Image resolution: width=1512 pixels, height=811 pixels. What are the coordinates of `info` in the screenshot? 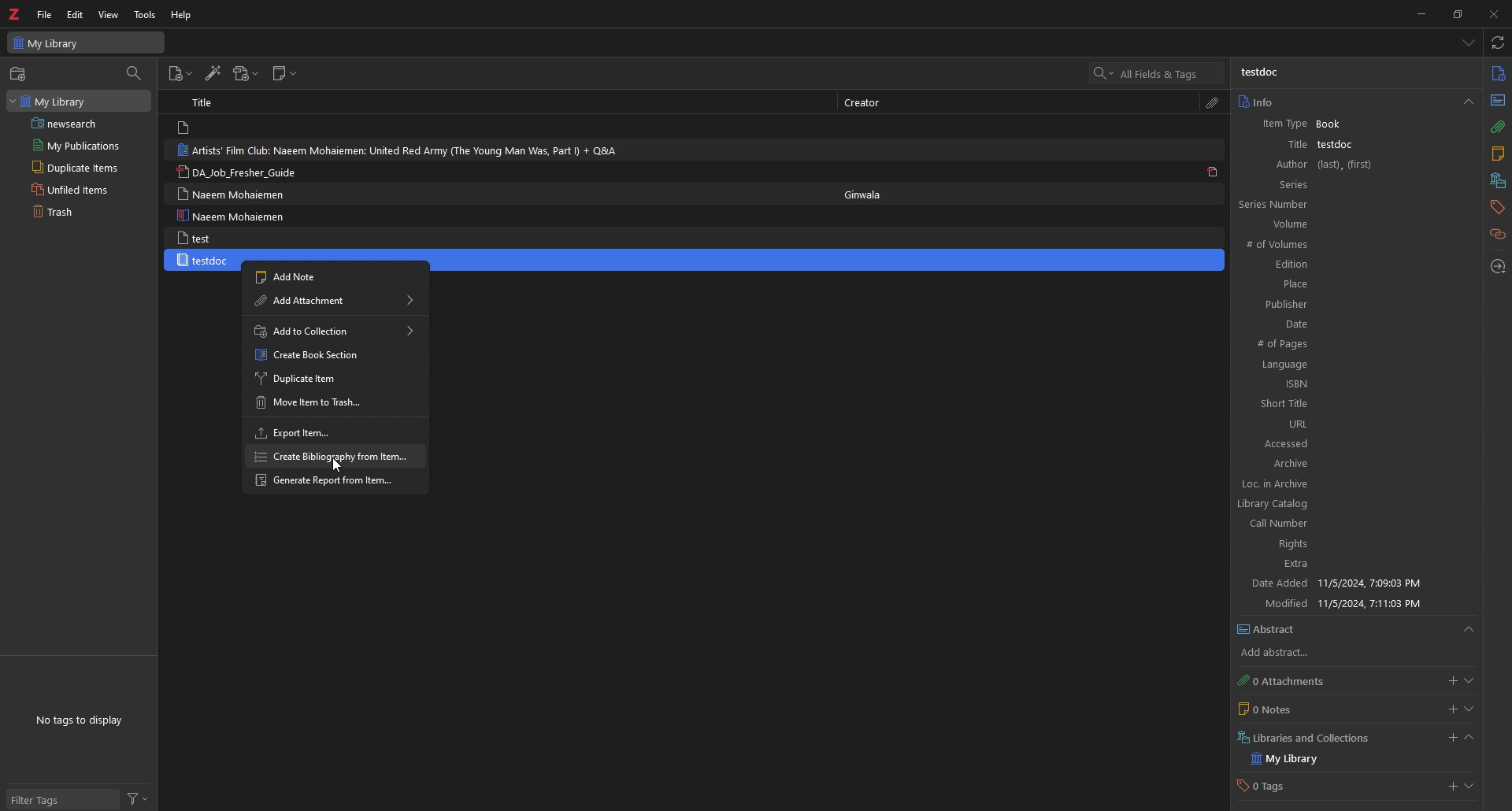 It's located at (1498, 74).